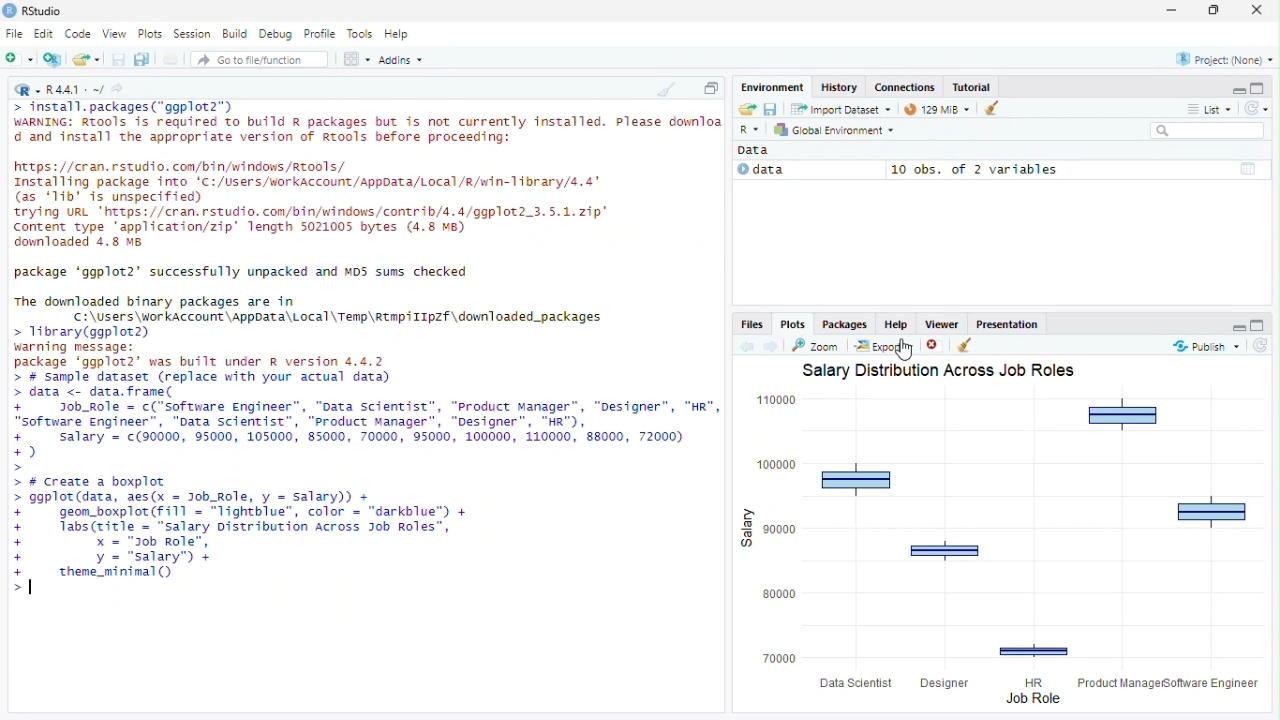 Image resolution: width=1280 pixels, height=720 pixels. I want to click on Tools, so click(359, 34).